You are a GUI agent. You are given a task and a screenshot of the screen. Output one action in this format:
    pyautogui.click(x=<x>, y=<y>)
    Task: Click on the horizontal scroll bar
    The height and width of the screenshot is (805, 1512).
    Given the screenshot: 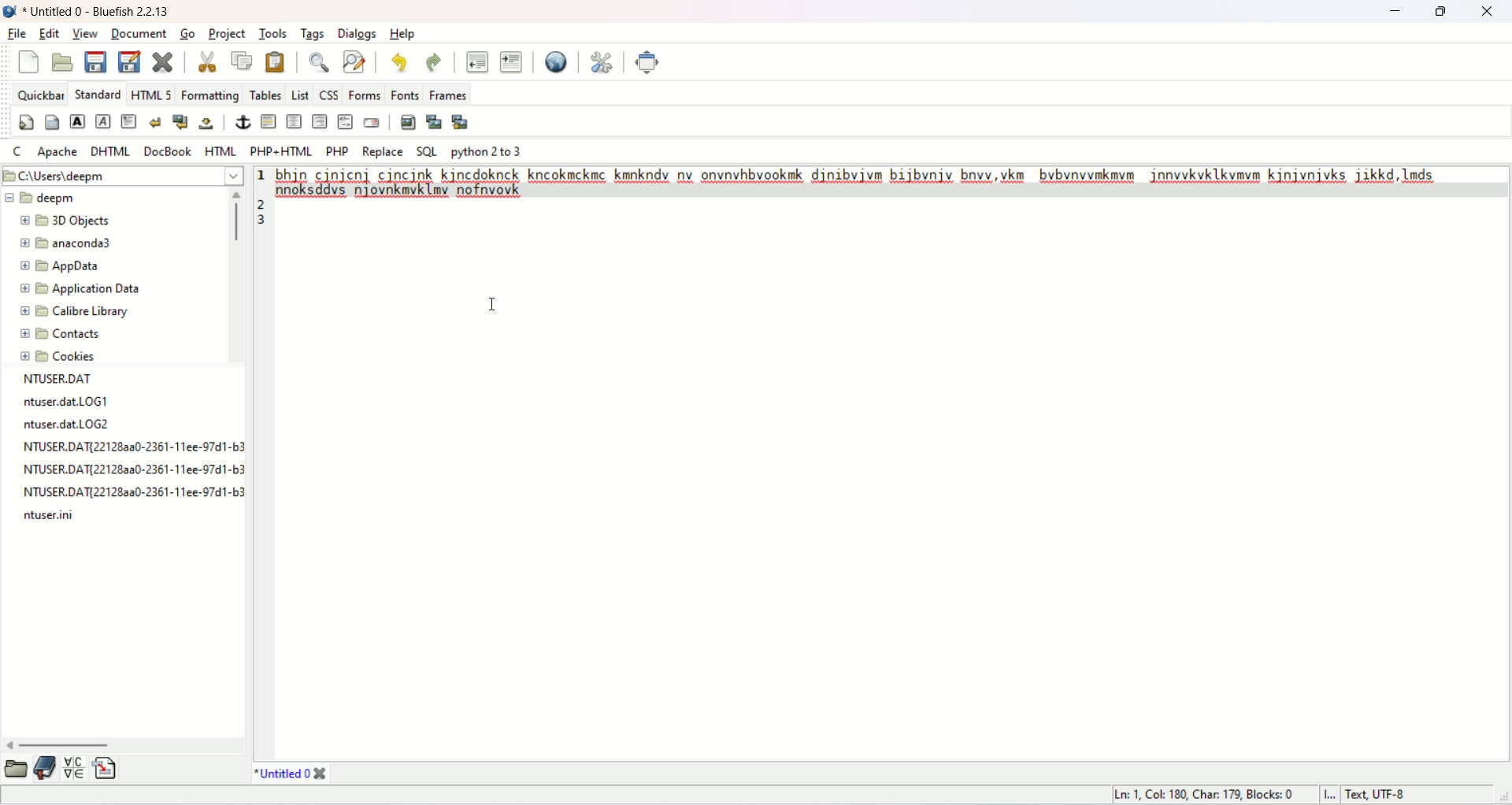 What is the action you would take?
    pyautogui.click(x=126, y=743)
    